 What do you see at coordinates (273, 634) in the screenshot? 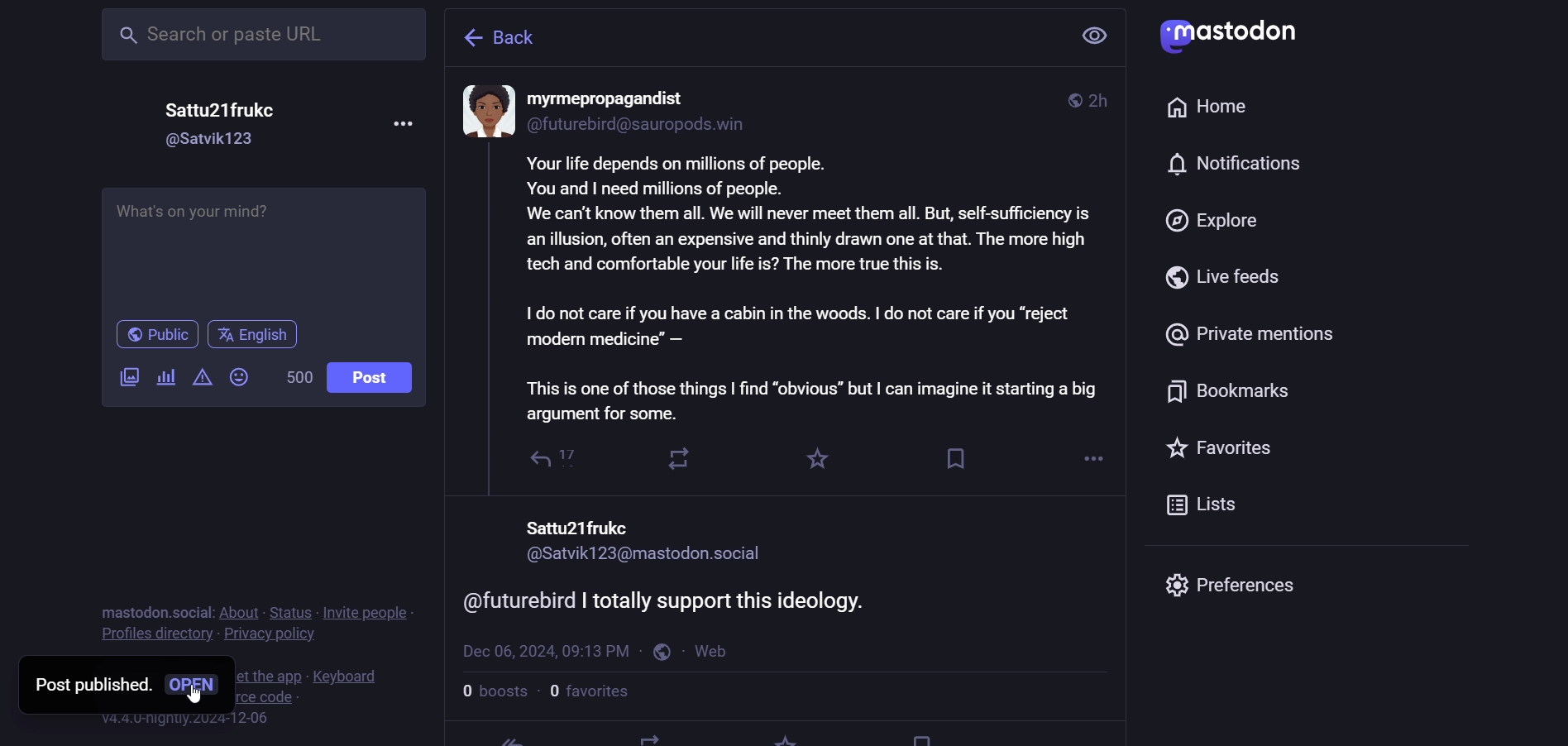
I see `privacy policy` at bounding box center [273, 634].